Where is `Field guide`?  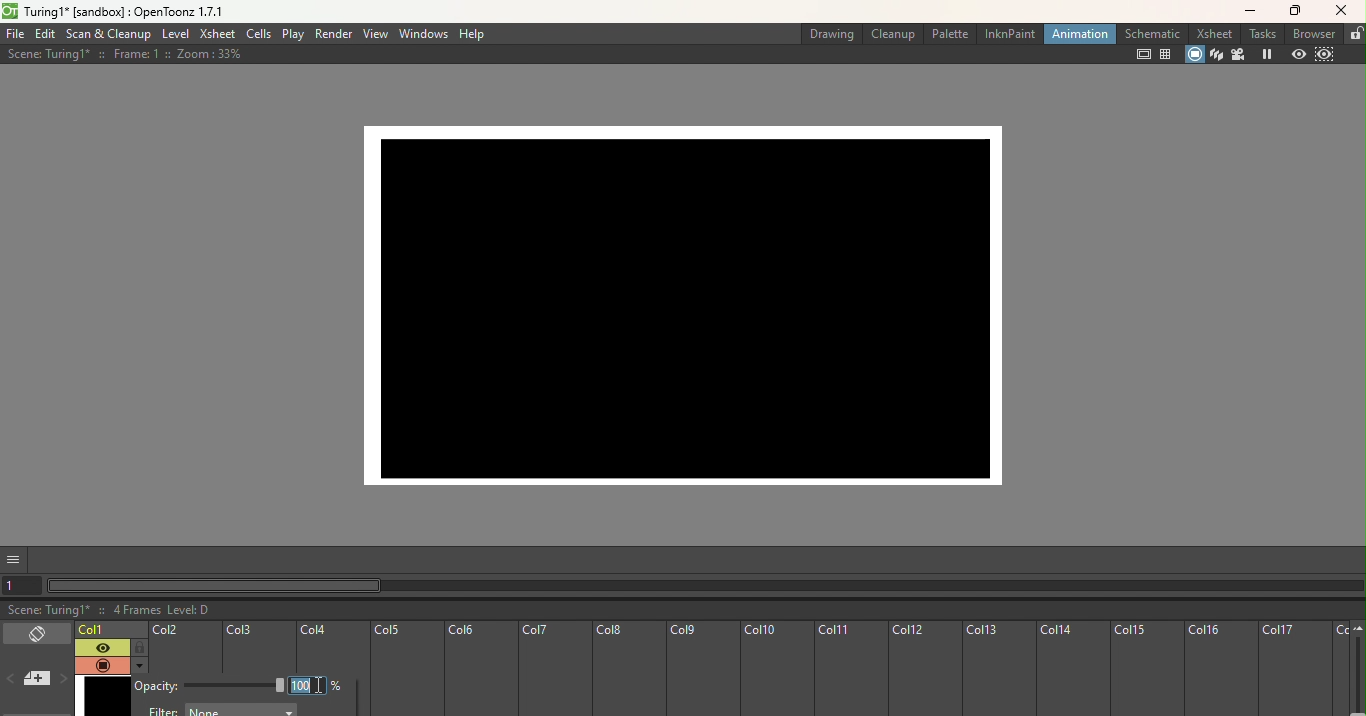
Field guide is located at coordinates (1167, 55).